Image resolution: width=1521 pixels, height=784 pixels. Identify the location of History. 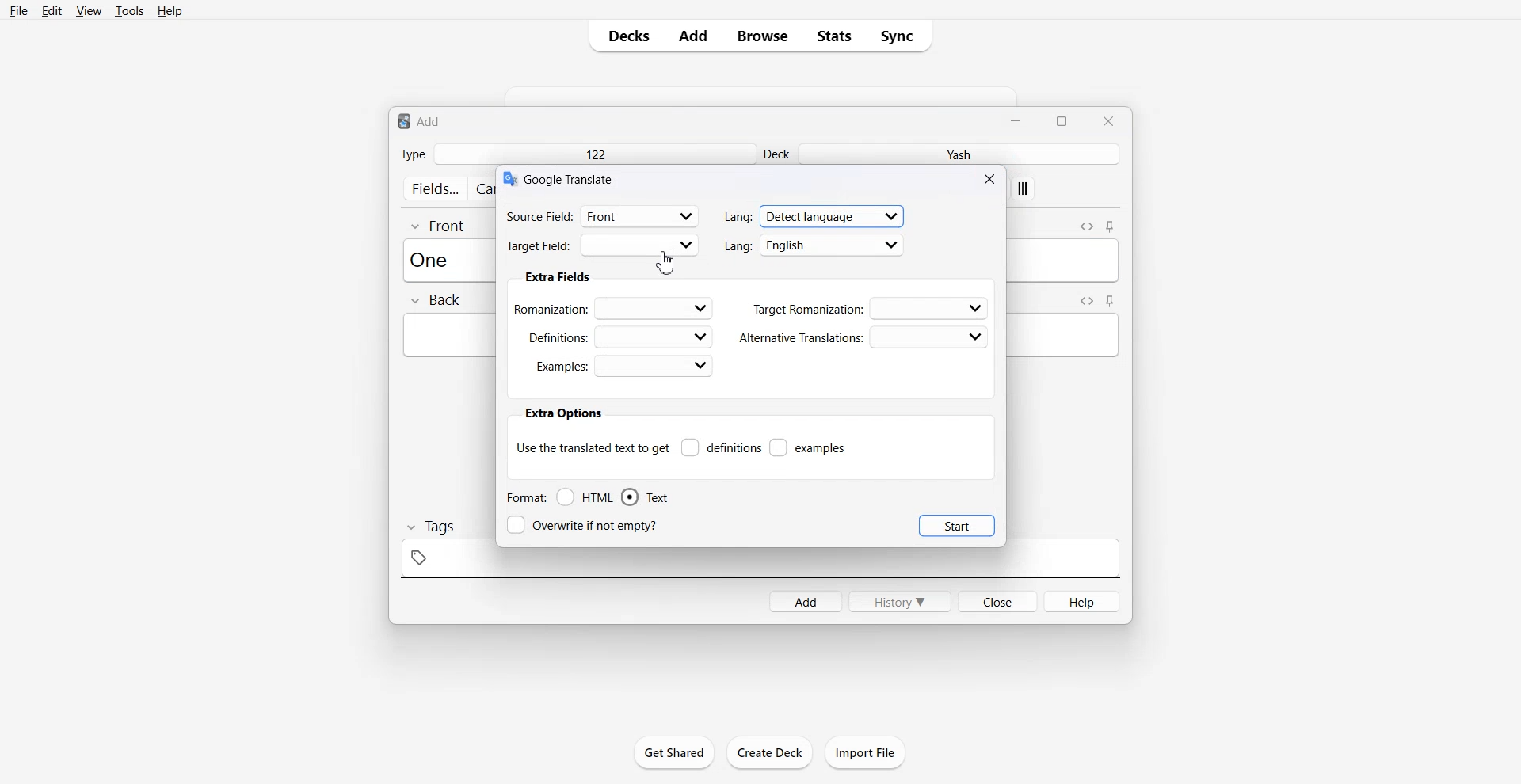
(900, 601).